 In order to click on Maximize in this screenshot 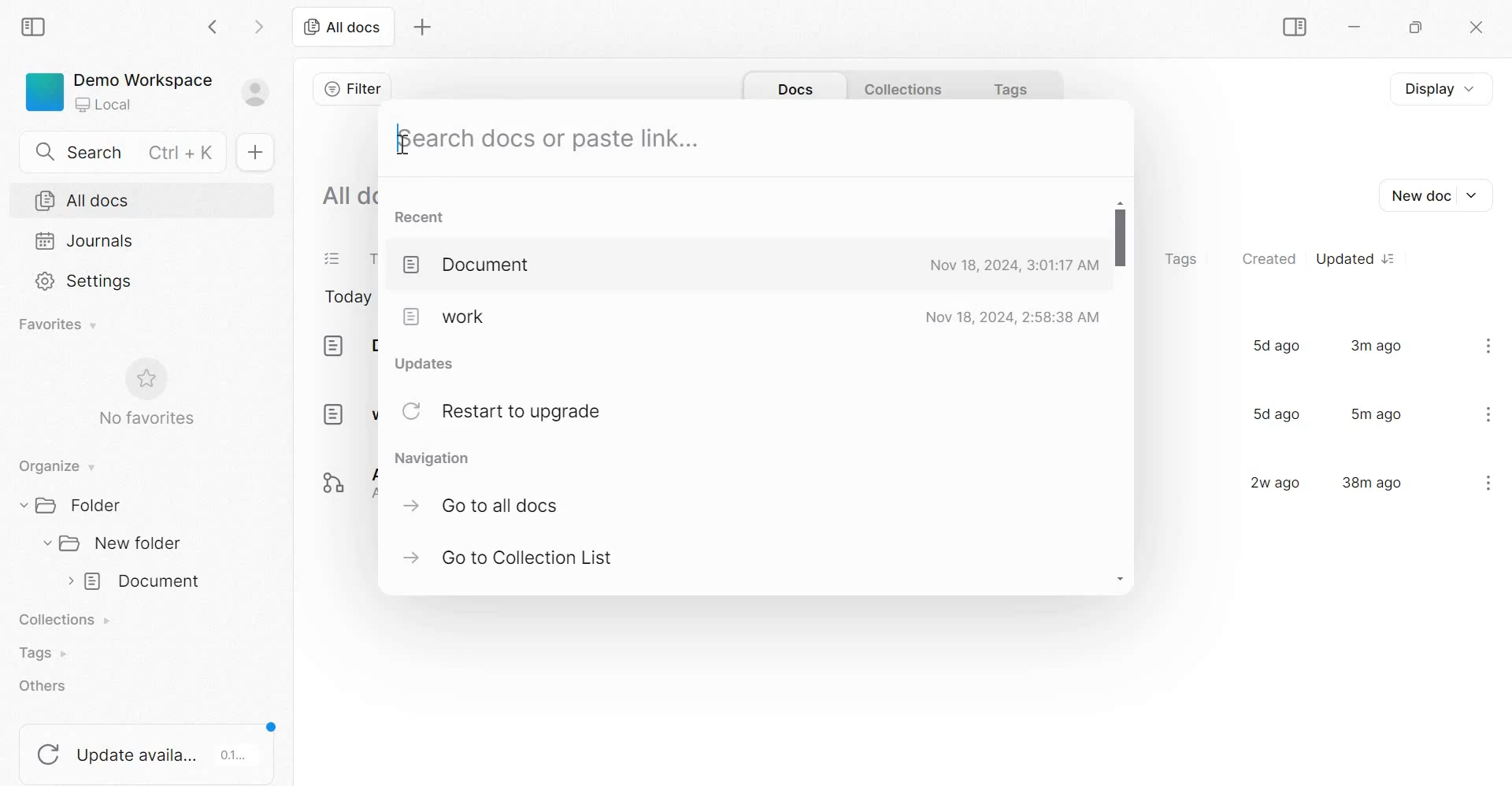, I will do `click(1420, 30)`.